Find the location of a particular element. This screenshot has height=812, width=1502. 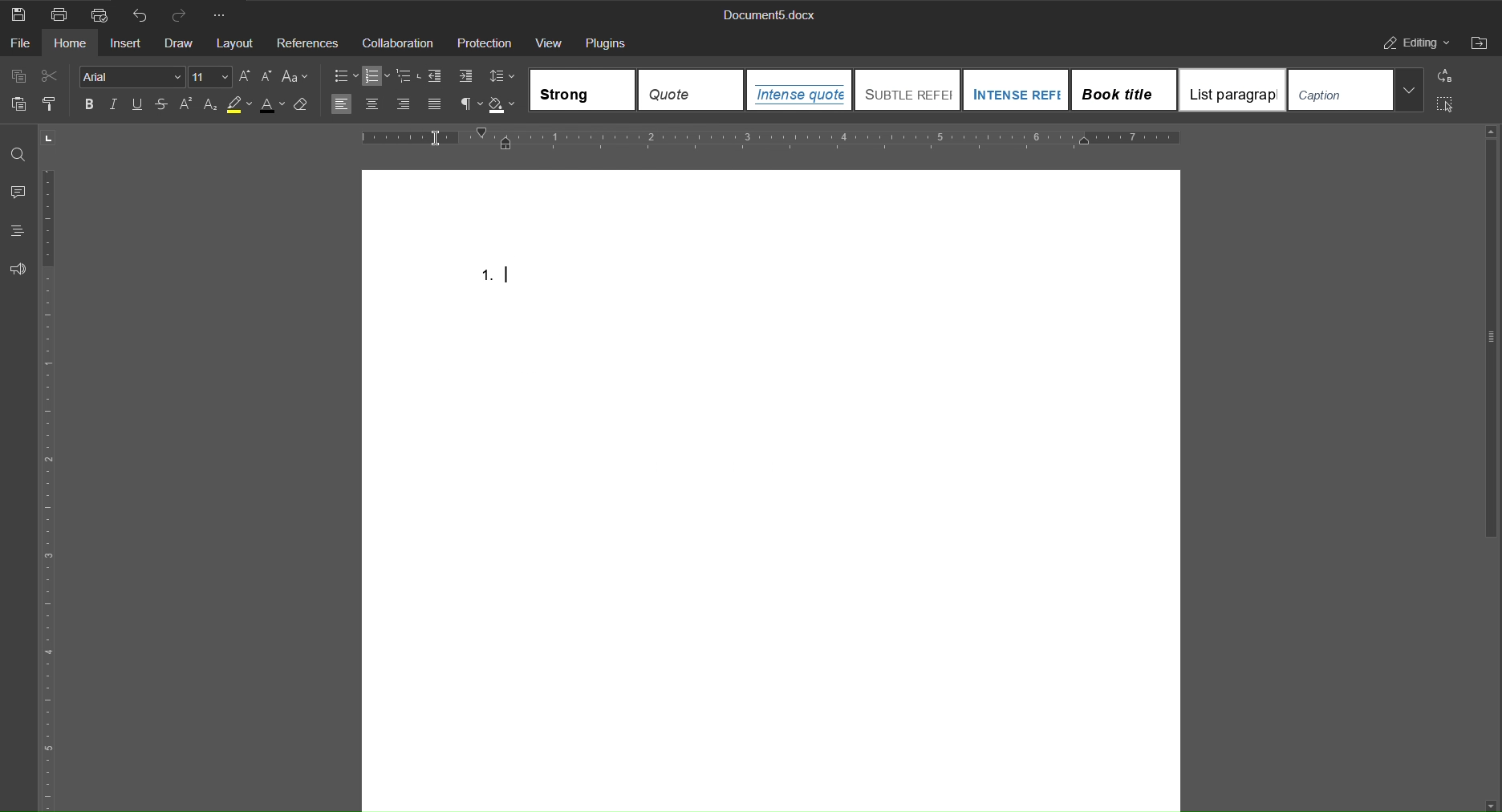

Find is located at coordinates (18, 156).